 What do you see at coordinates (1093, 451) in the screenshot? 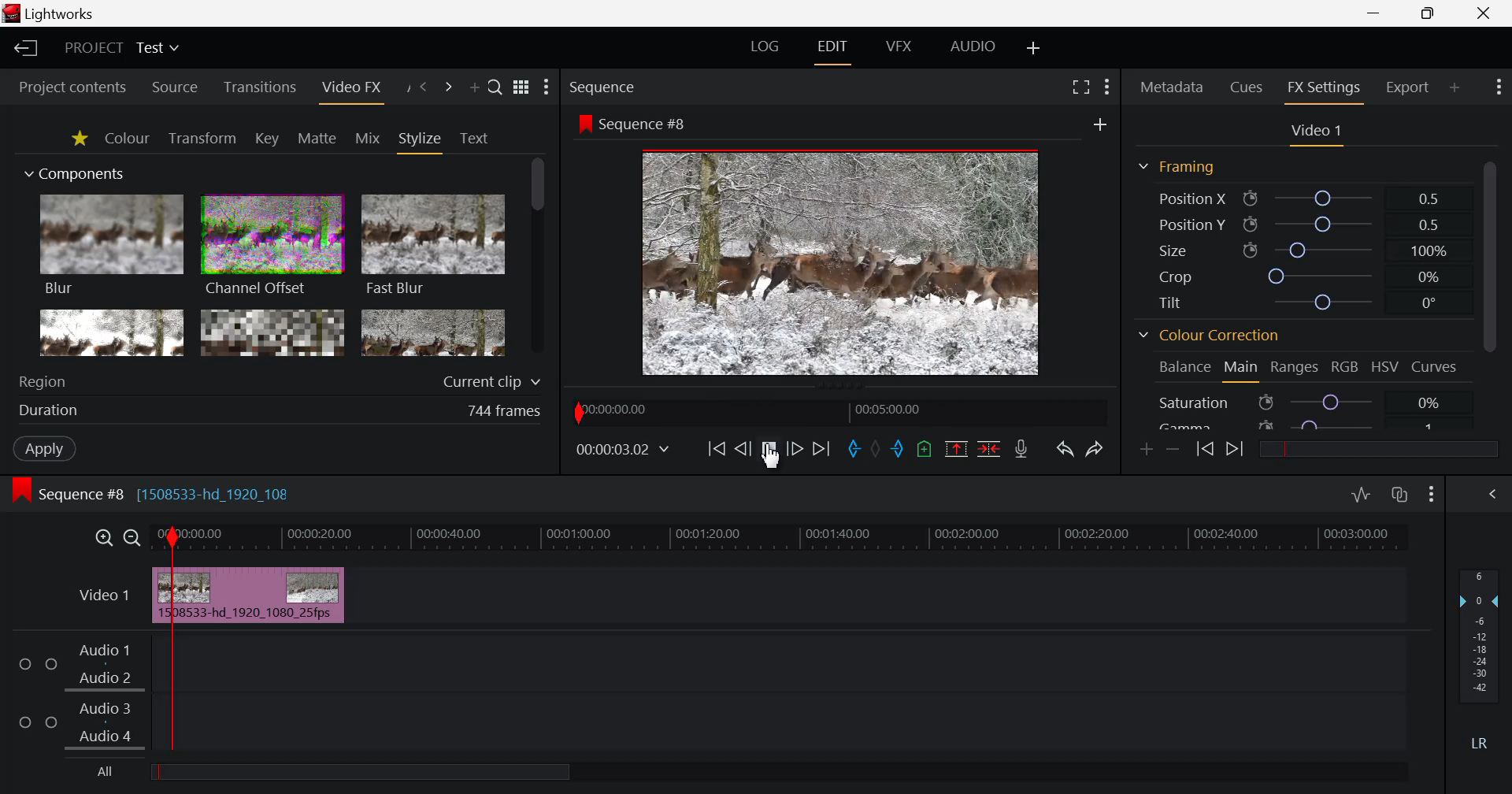
I see `Redo` at bounding box center [1093, 451].